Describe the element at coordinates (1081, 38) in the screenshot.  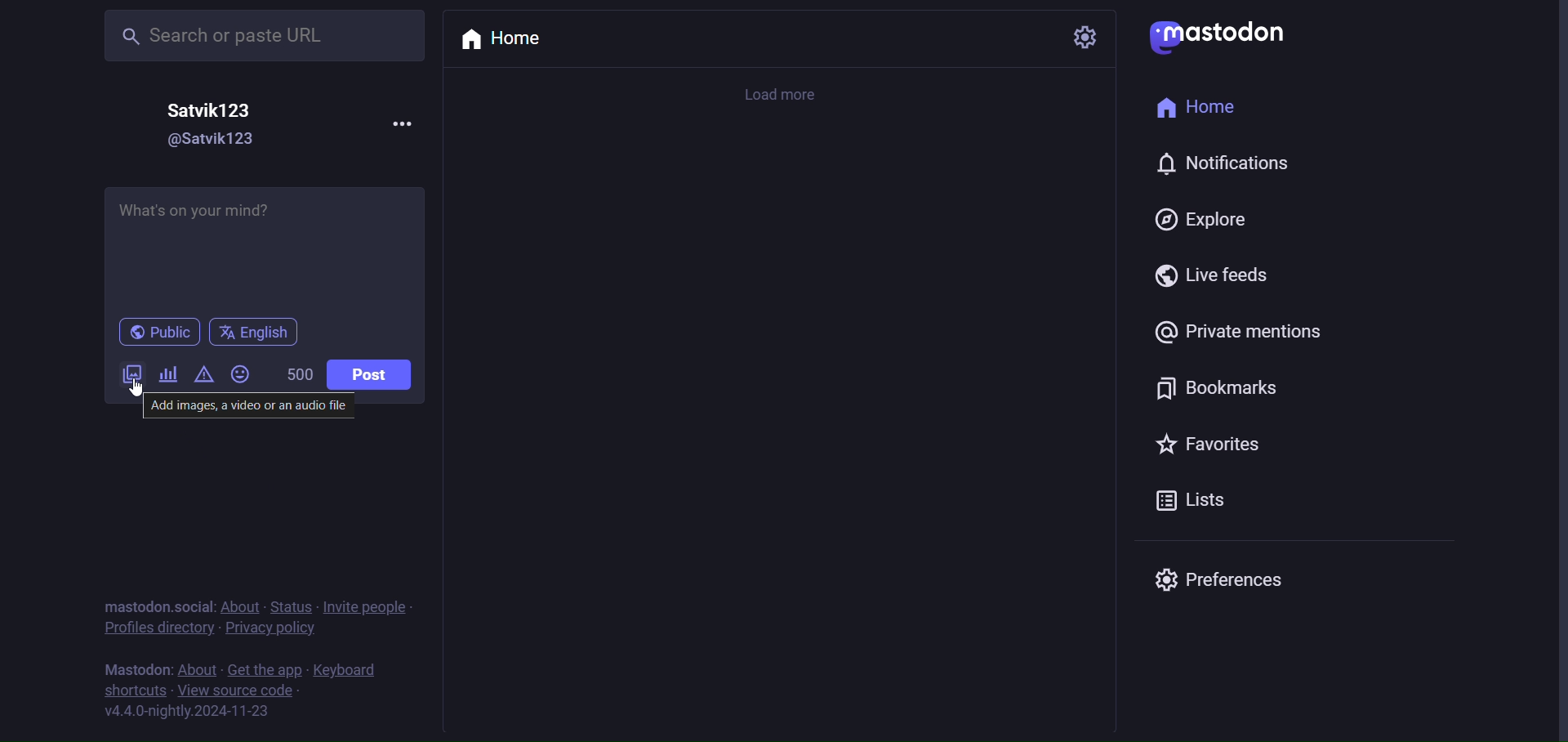
I see `setting` at that location.